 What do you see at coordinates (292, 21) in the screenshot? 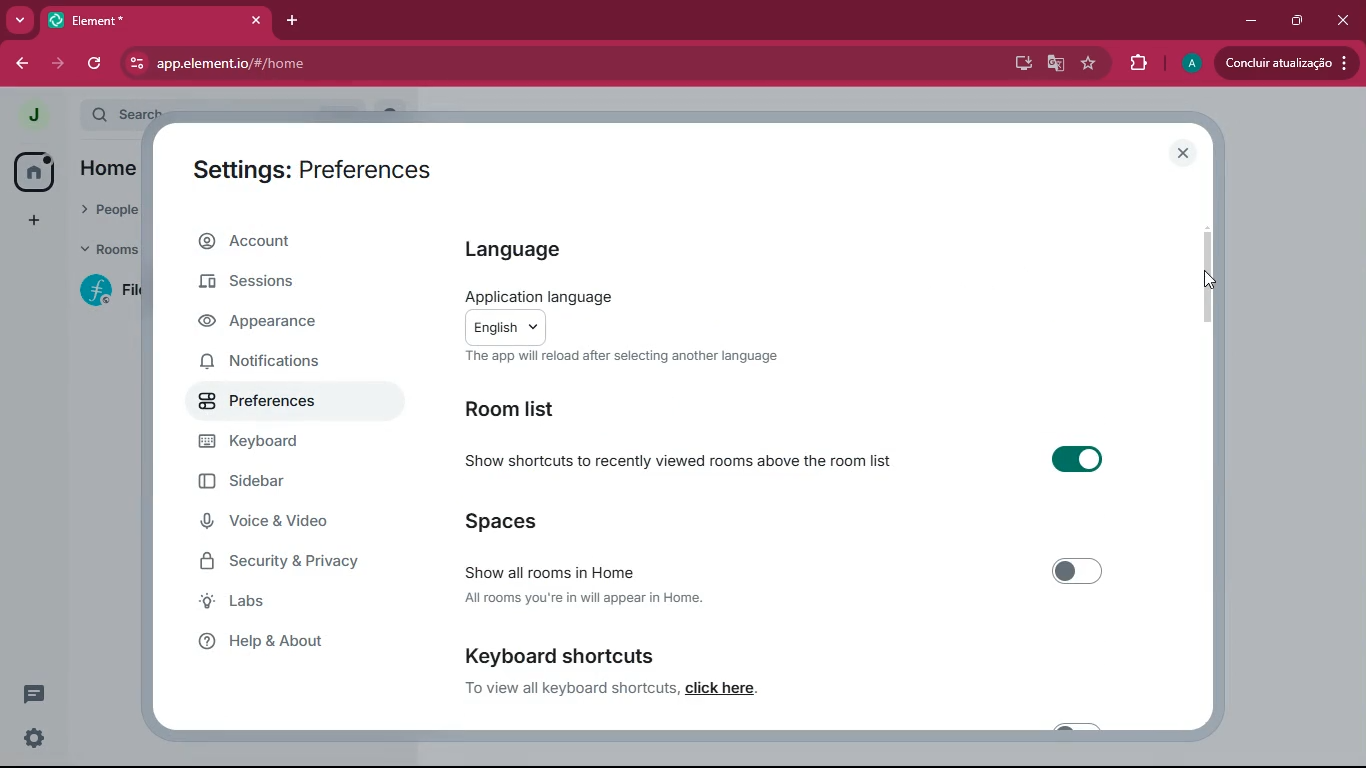
I see `add tab` at bounding box center [292, 21].